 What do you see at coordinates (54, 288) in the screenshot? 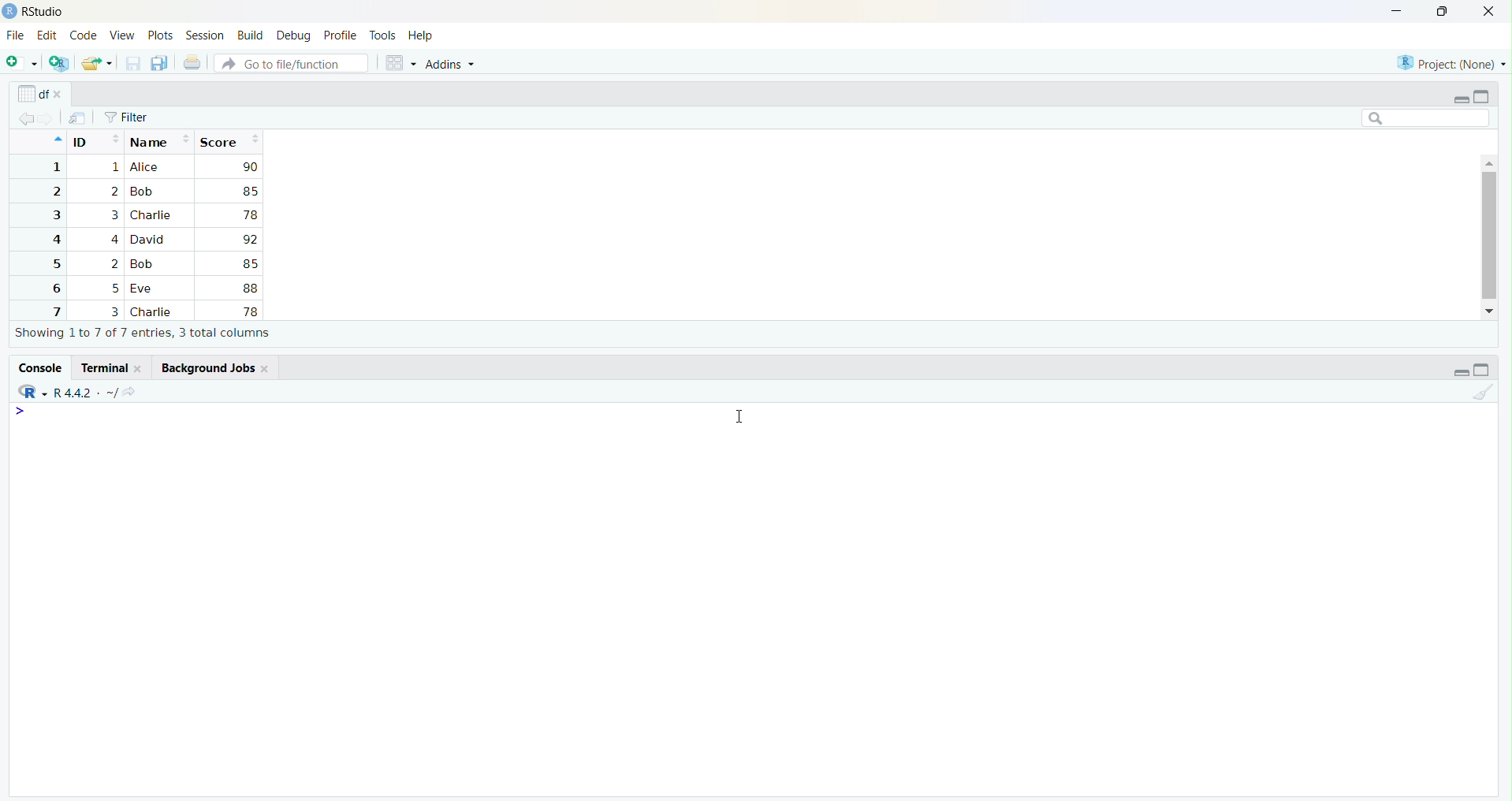
I see `6` at bounding box center [54, 288].